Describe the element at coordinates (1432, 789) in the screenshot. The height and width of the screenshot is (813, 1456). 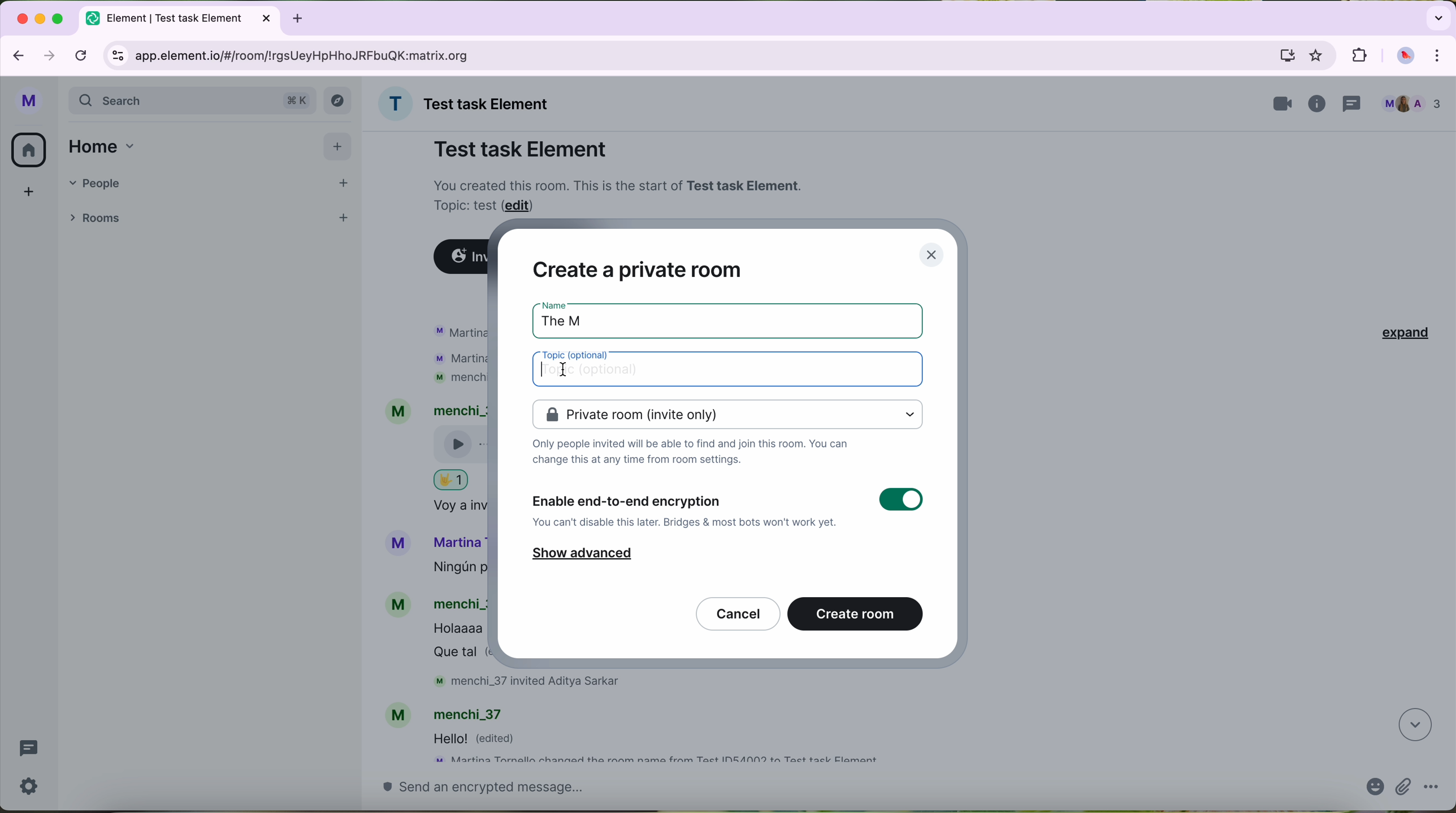
I see `more options` at that location.